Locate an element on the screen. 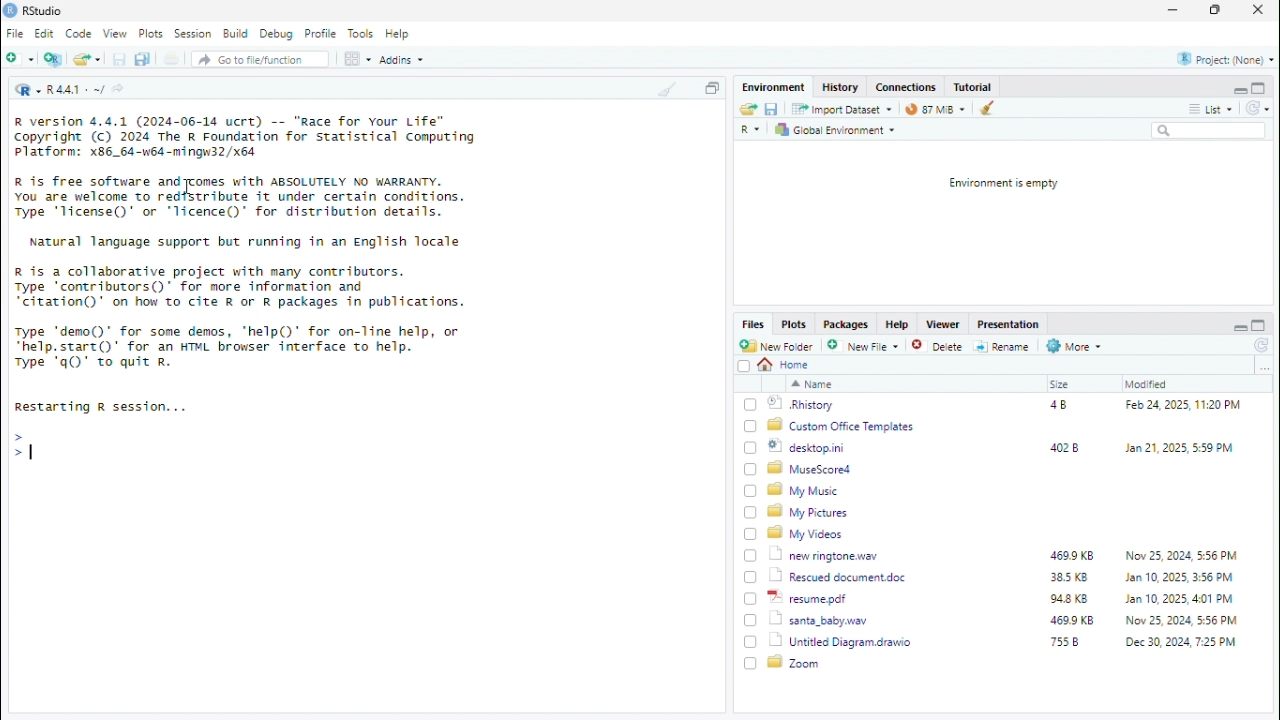 The width and height of the screenshot is (1280, 720). Checkbox is located at coordinates (751, 642).